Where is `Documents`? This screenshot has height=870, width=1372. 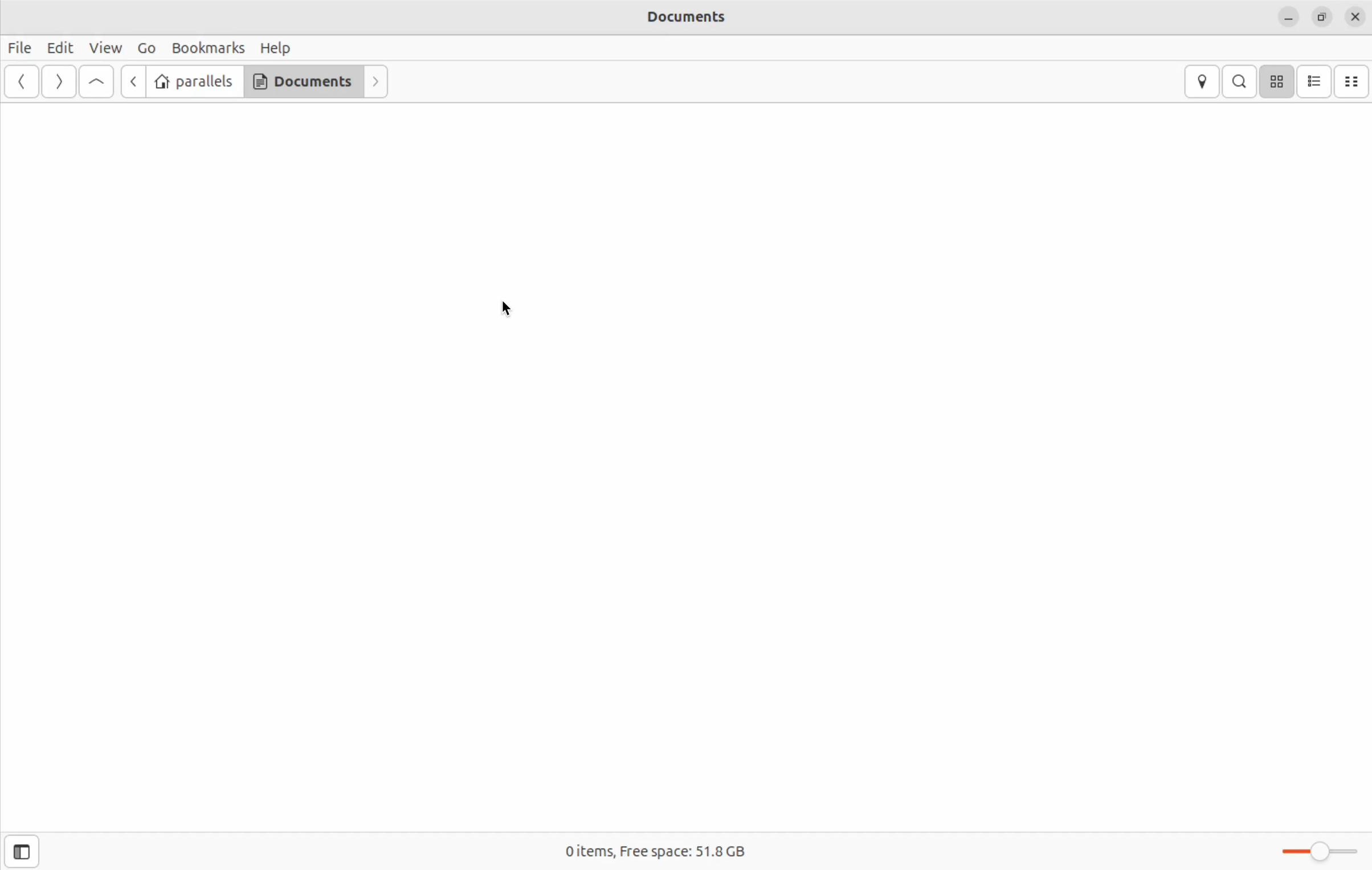
Documents is located at coordinates (702, 19).